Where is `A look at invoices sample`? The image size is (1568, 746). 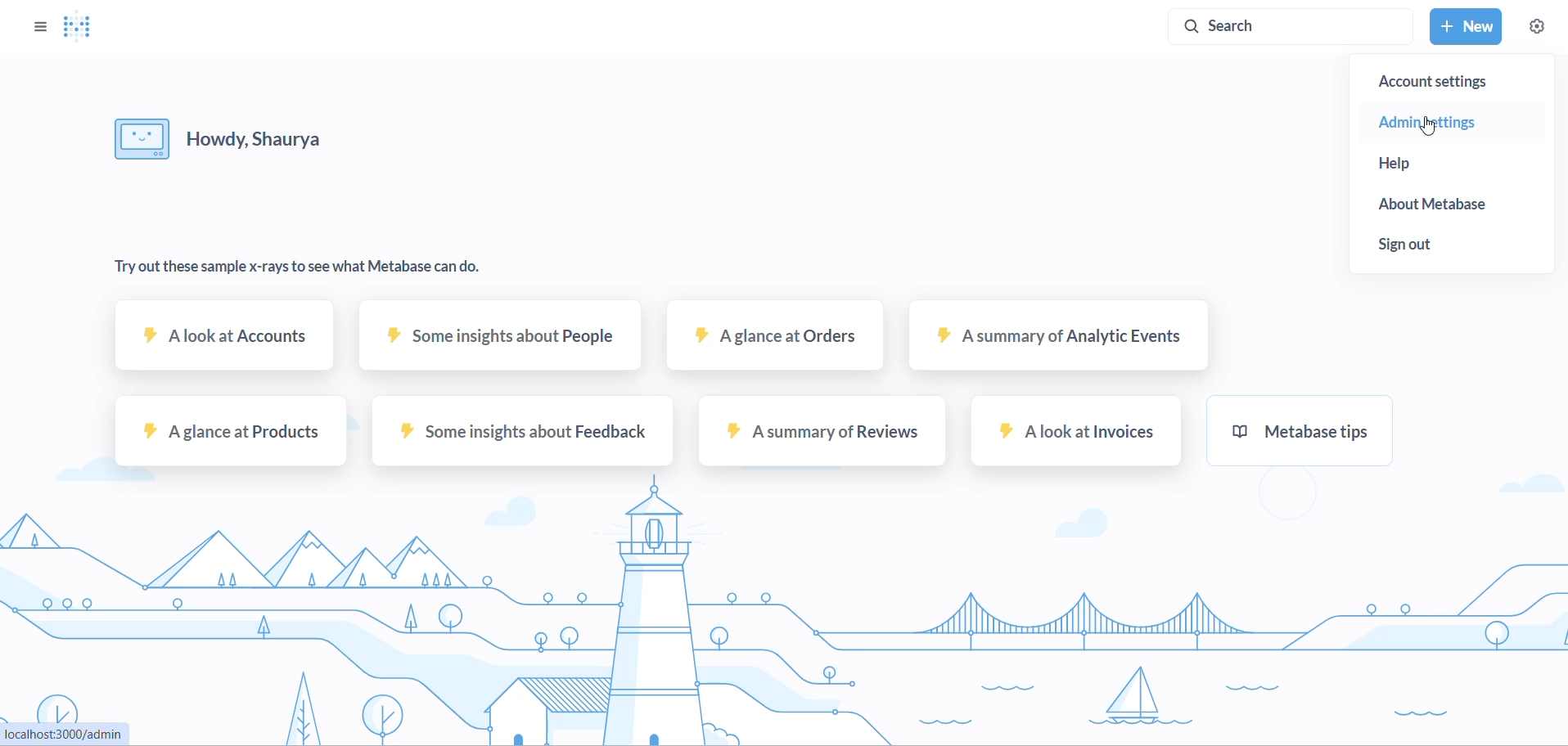
A look at invoices sample is located at coordinates (1073, 432).